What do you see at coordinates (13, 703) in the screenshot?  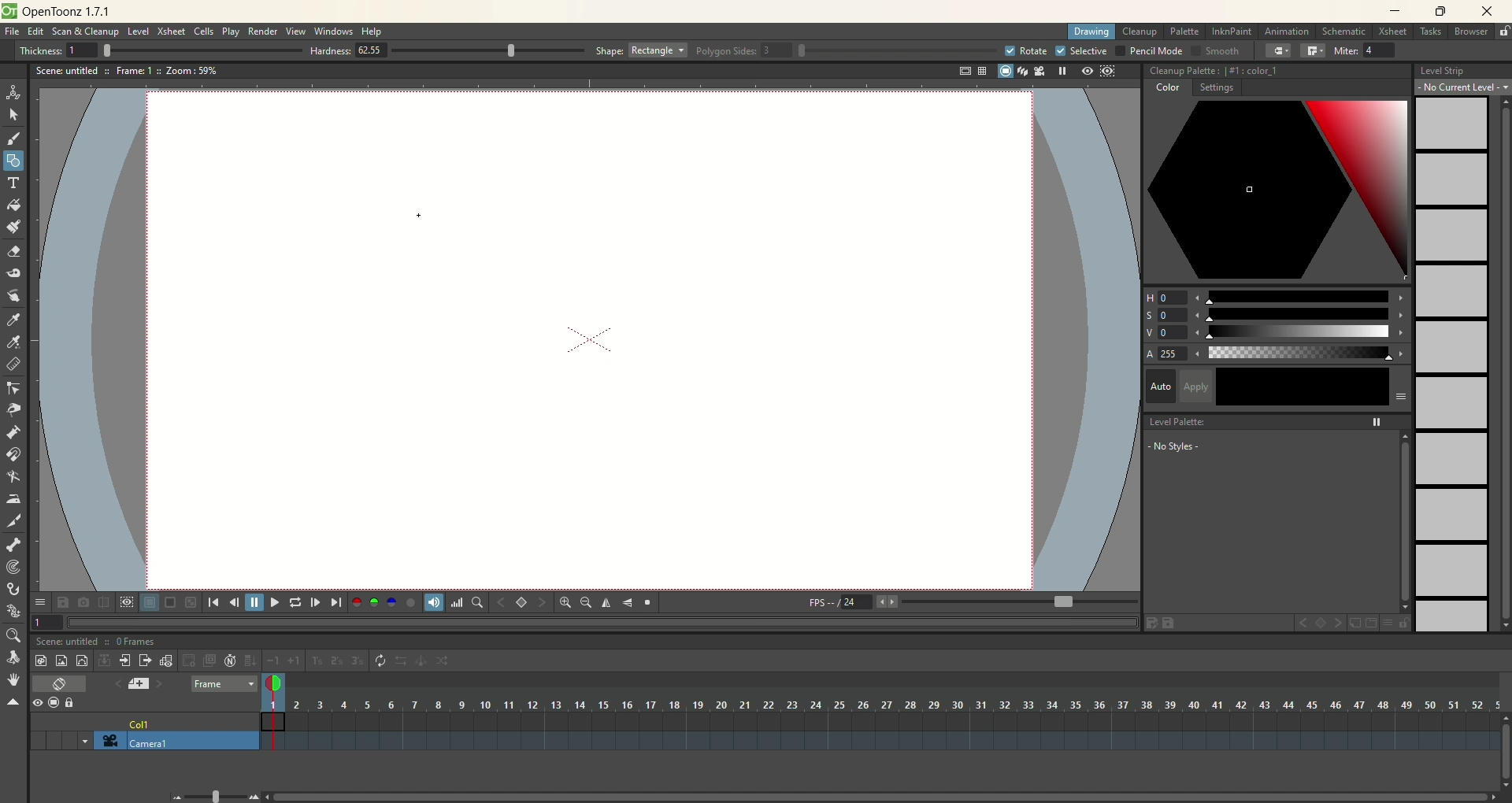 I see `collapse toolbar` at bounding box center [13, 703].